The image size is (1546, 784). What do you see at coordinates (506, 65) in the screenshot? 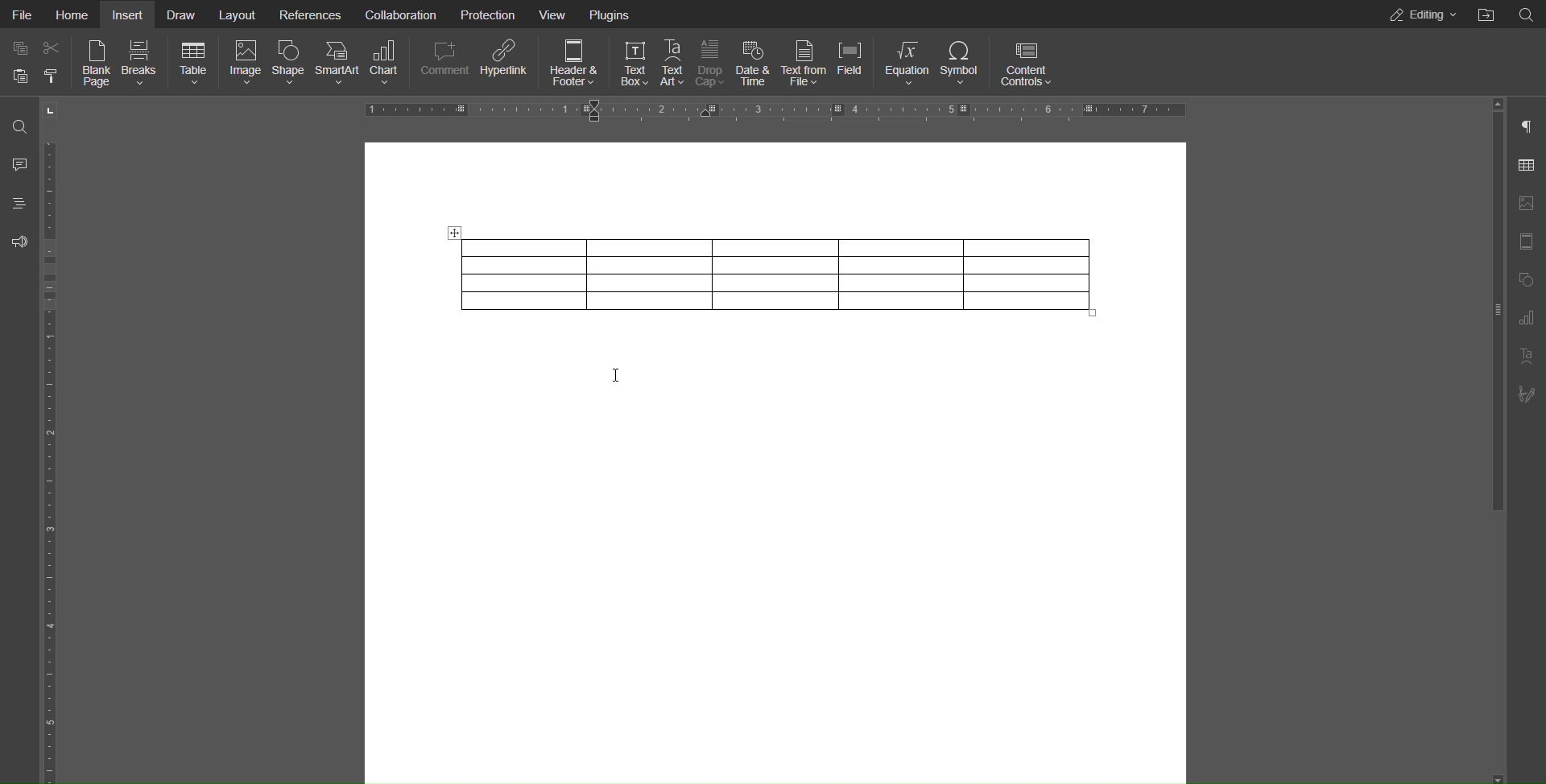
I see `Hyperlink` at bounding box center [506, 65].